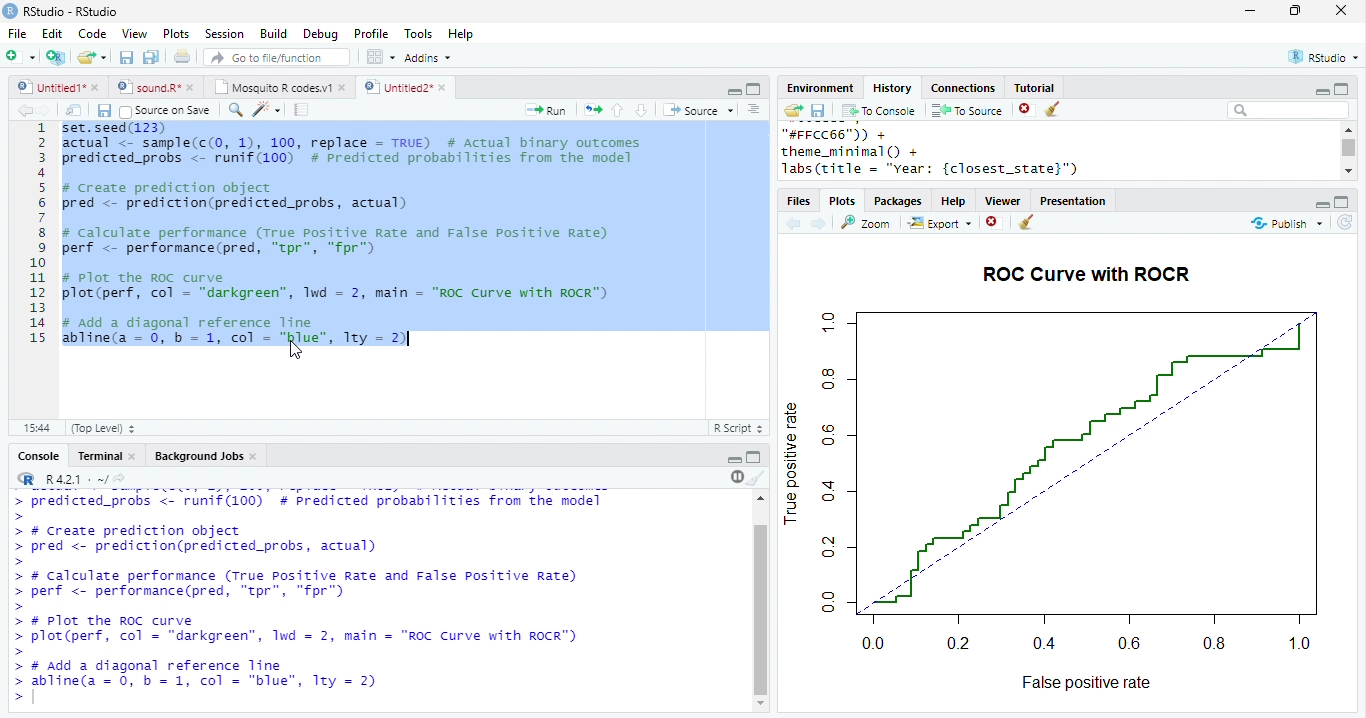 The width and height of the screenshot is (1366, 718). What do you see at coordinates (75, 110) in the screenshot?
I see `show in new window` at bounding box center [75, 110].